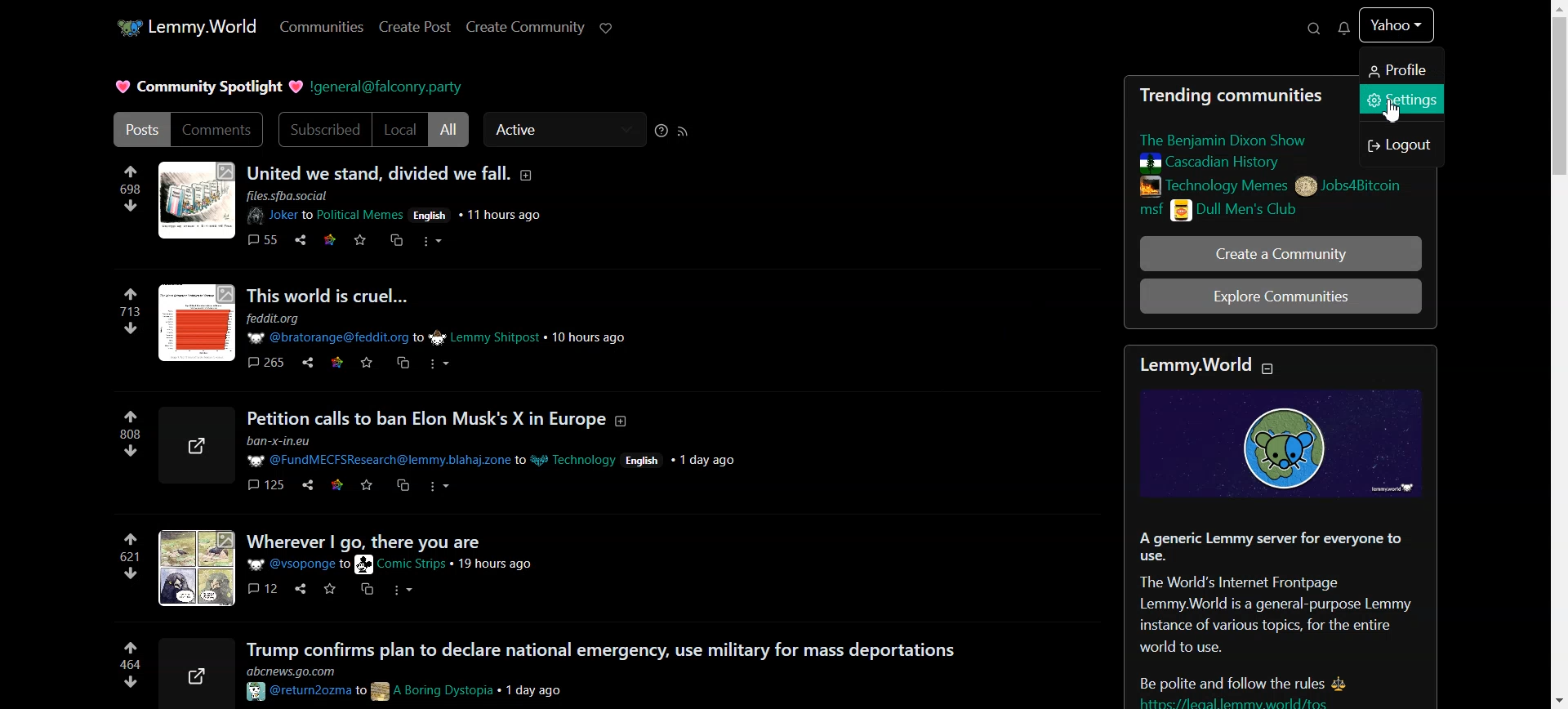 The width and height of the screenshot is (1568, 709). I want to click on , so click(425, 214).